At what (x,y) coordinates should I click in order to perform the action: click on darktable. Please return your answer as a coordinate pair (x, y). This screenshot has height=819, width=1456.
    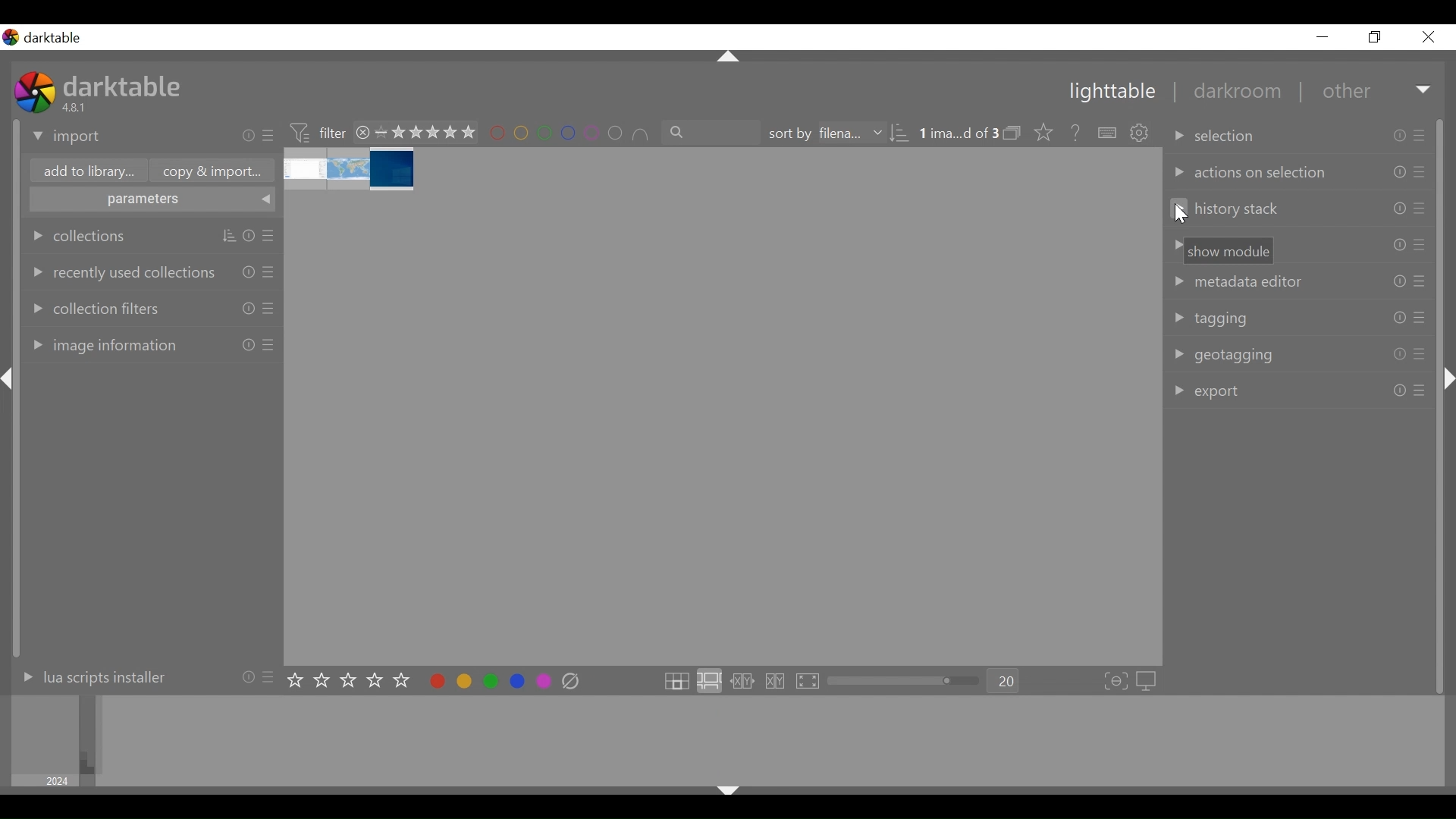
    Looking at the image, I should click on (125, 85).